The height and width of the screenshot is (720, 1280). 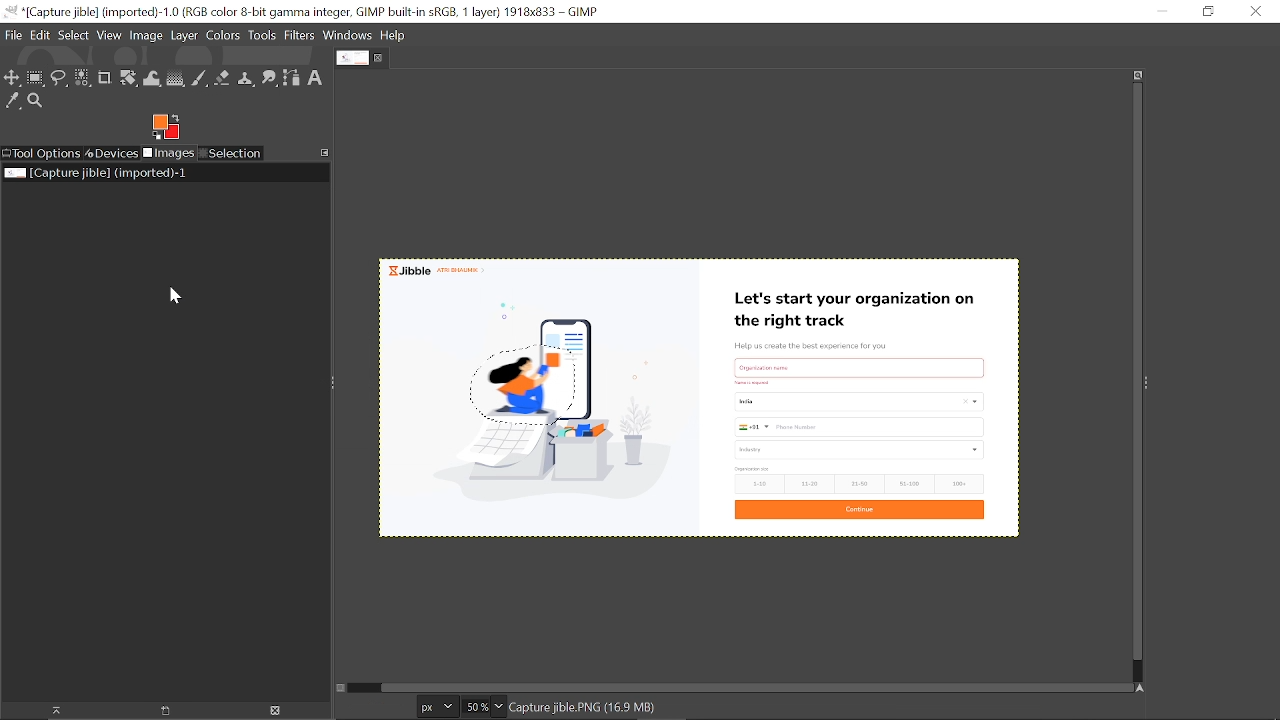 I want to click on View, so click(x=110, y=35).